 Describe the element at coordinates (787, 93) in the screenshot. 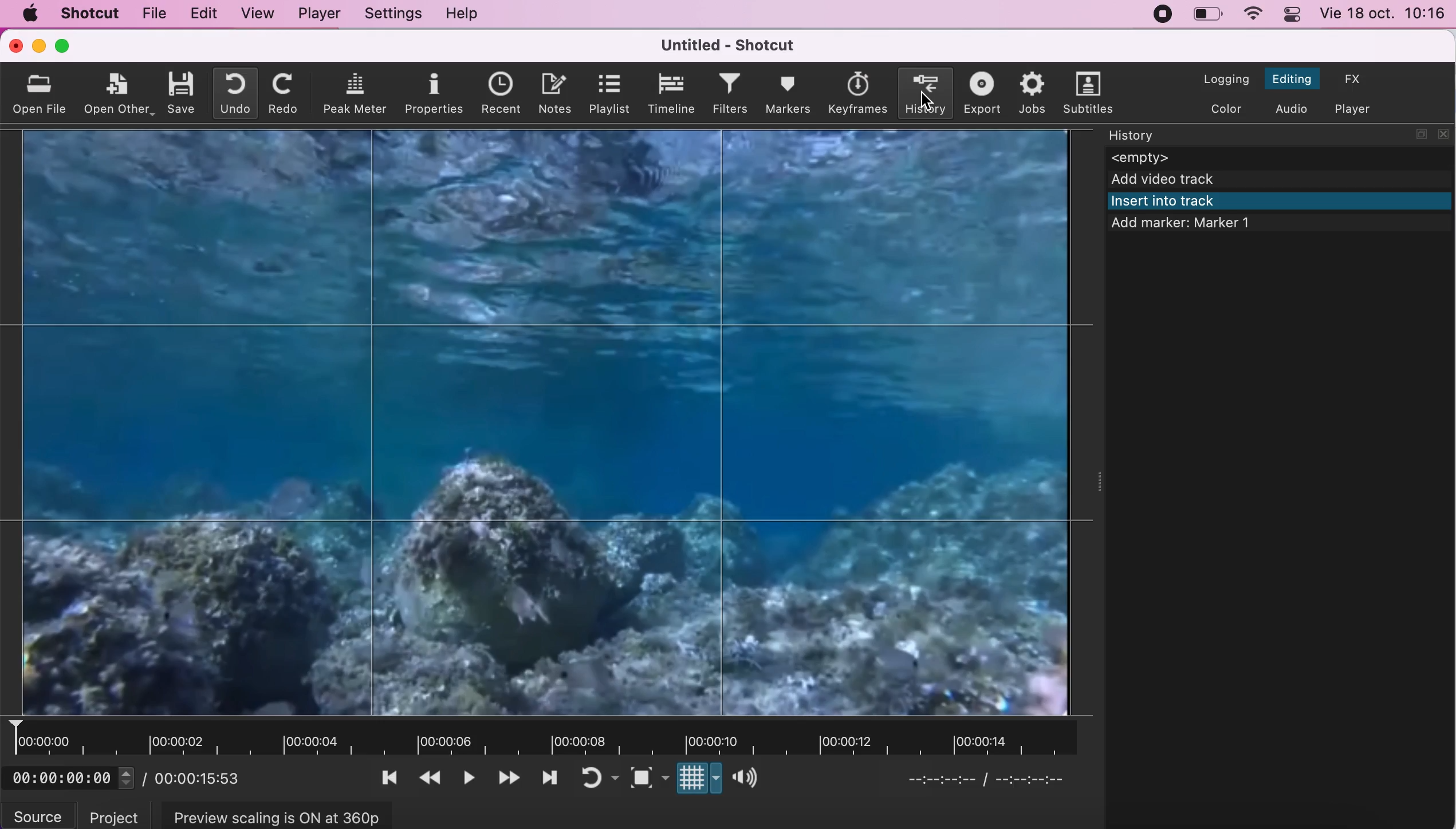

I see `markers` at that location.